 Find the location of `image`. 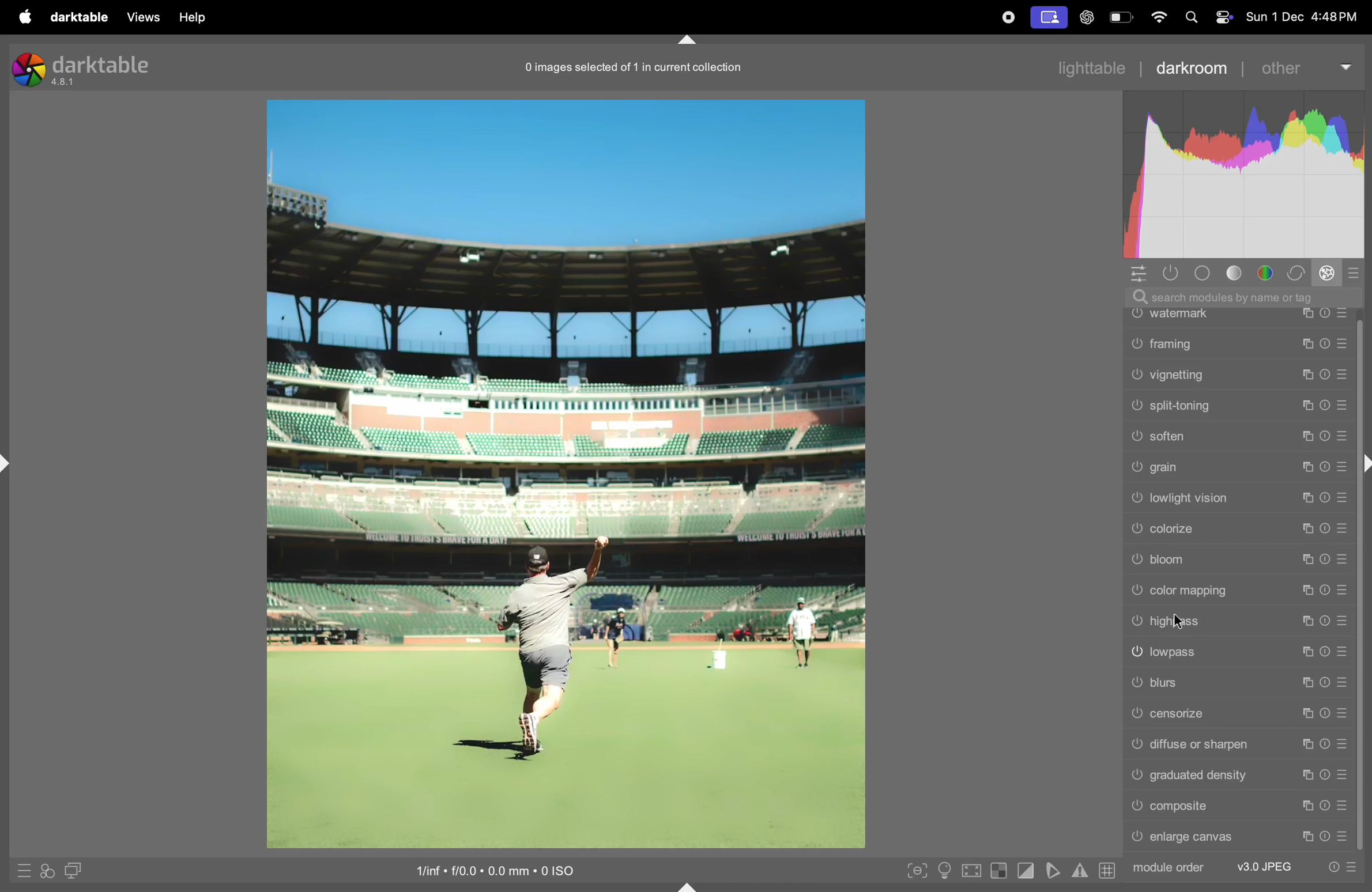

image is located at coordinates (565, 472).